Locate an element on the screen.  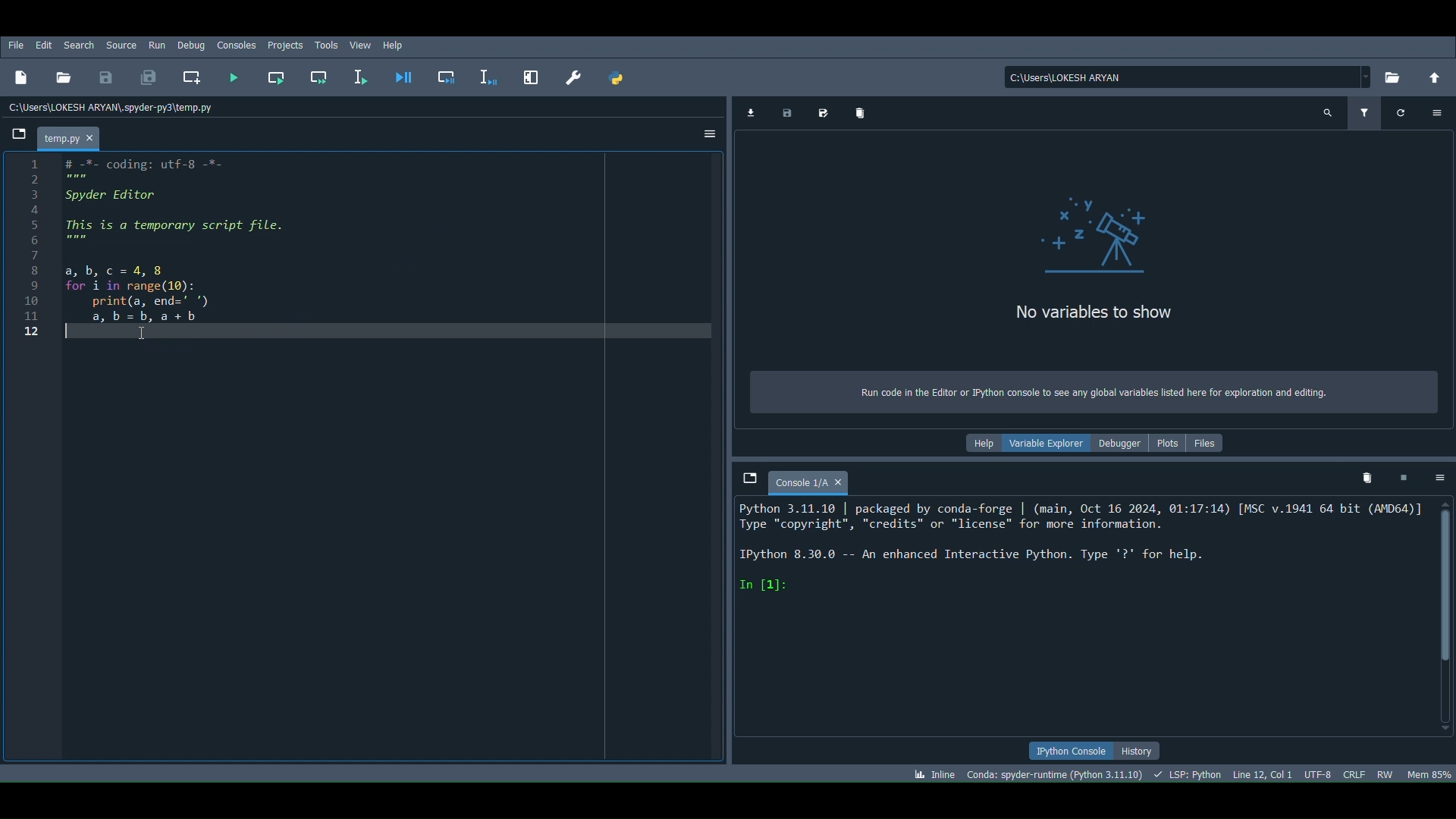
Filter variables is located at coordinates (1362, 111).